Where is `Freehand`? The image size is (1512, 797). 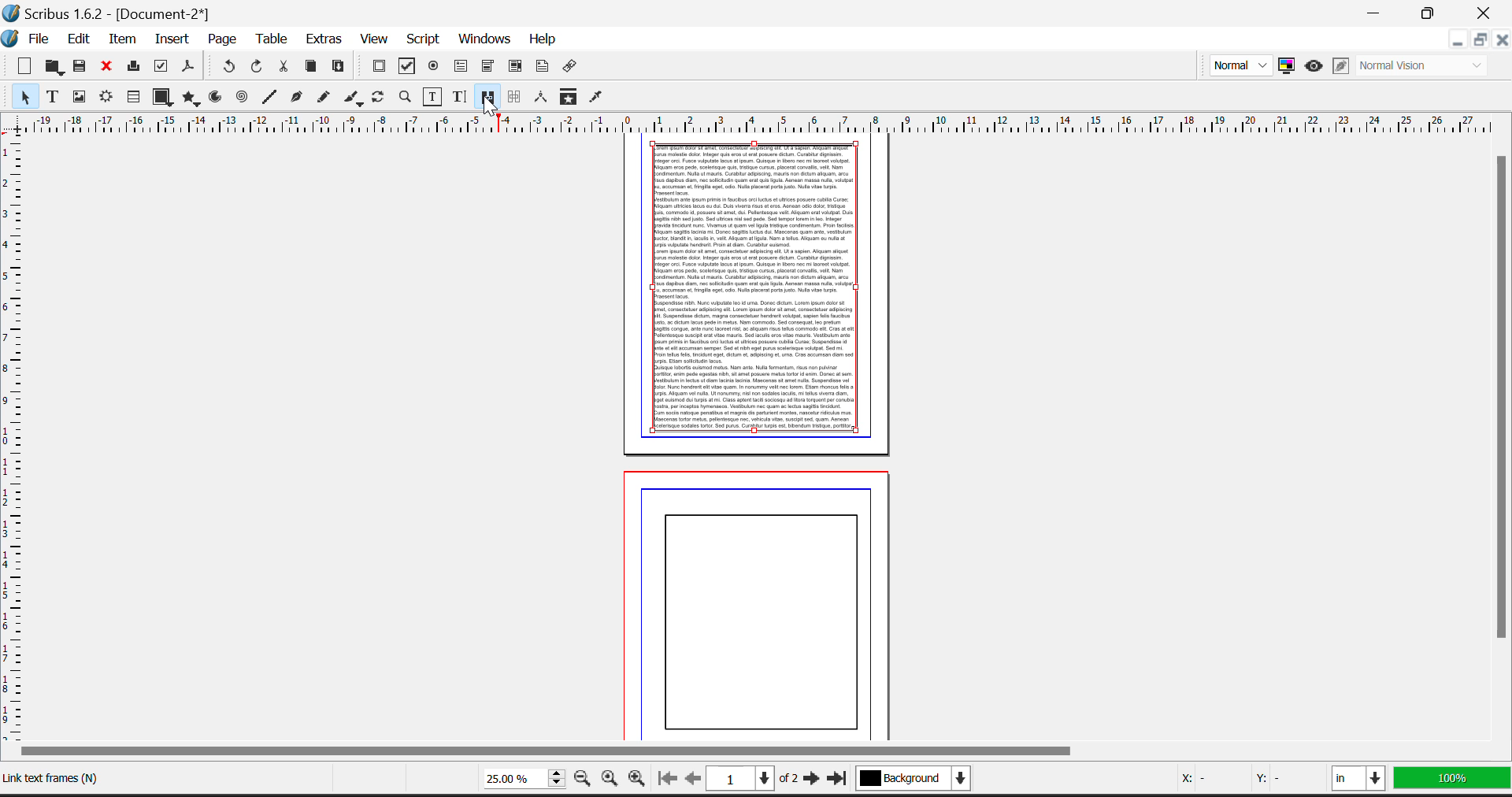 Freehand is located at coordinates (323, 99).